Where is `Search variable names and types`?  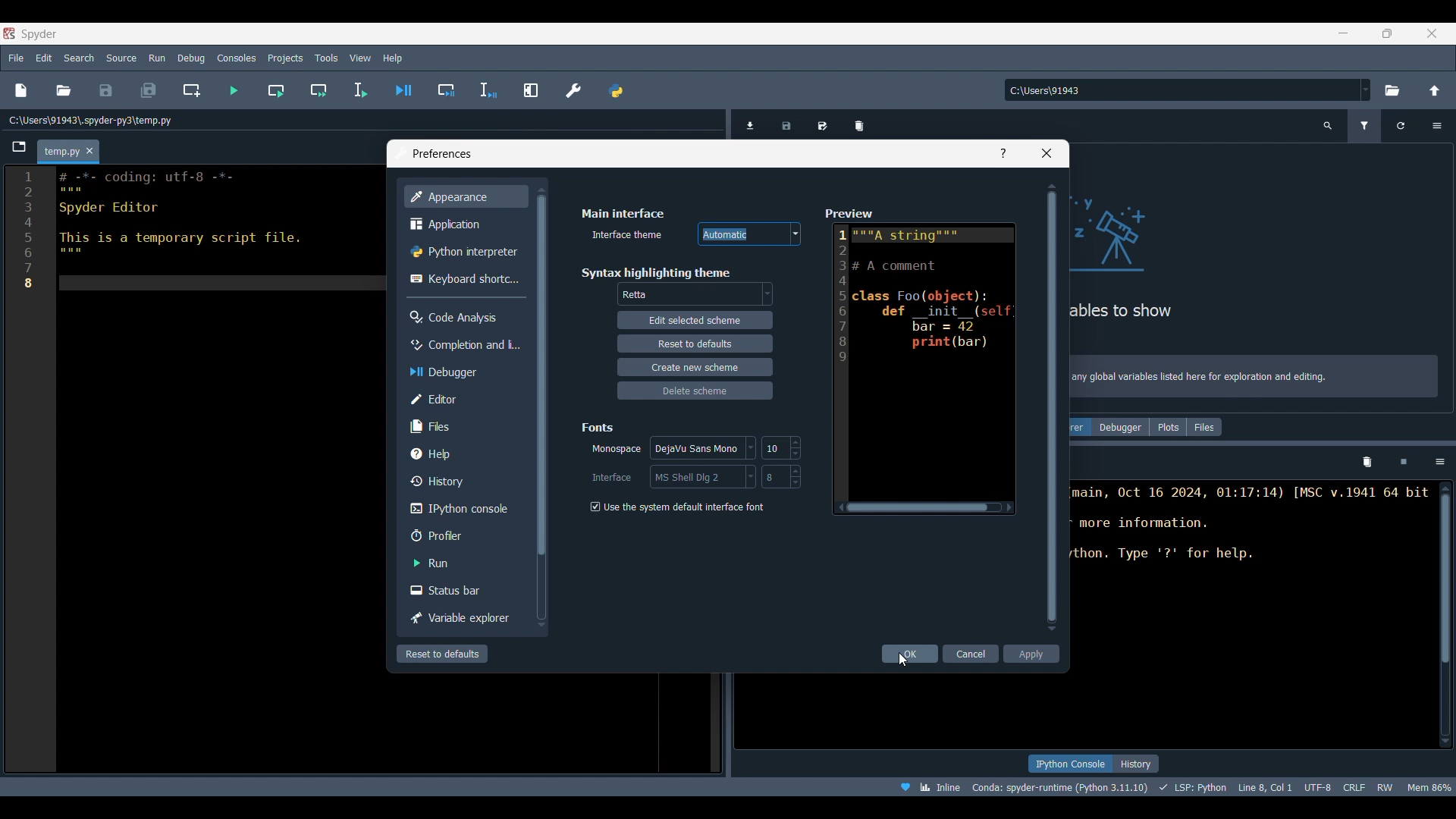 Search variable names and types is located at coordinates (1329, 126).